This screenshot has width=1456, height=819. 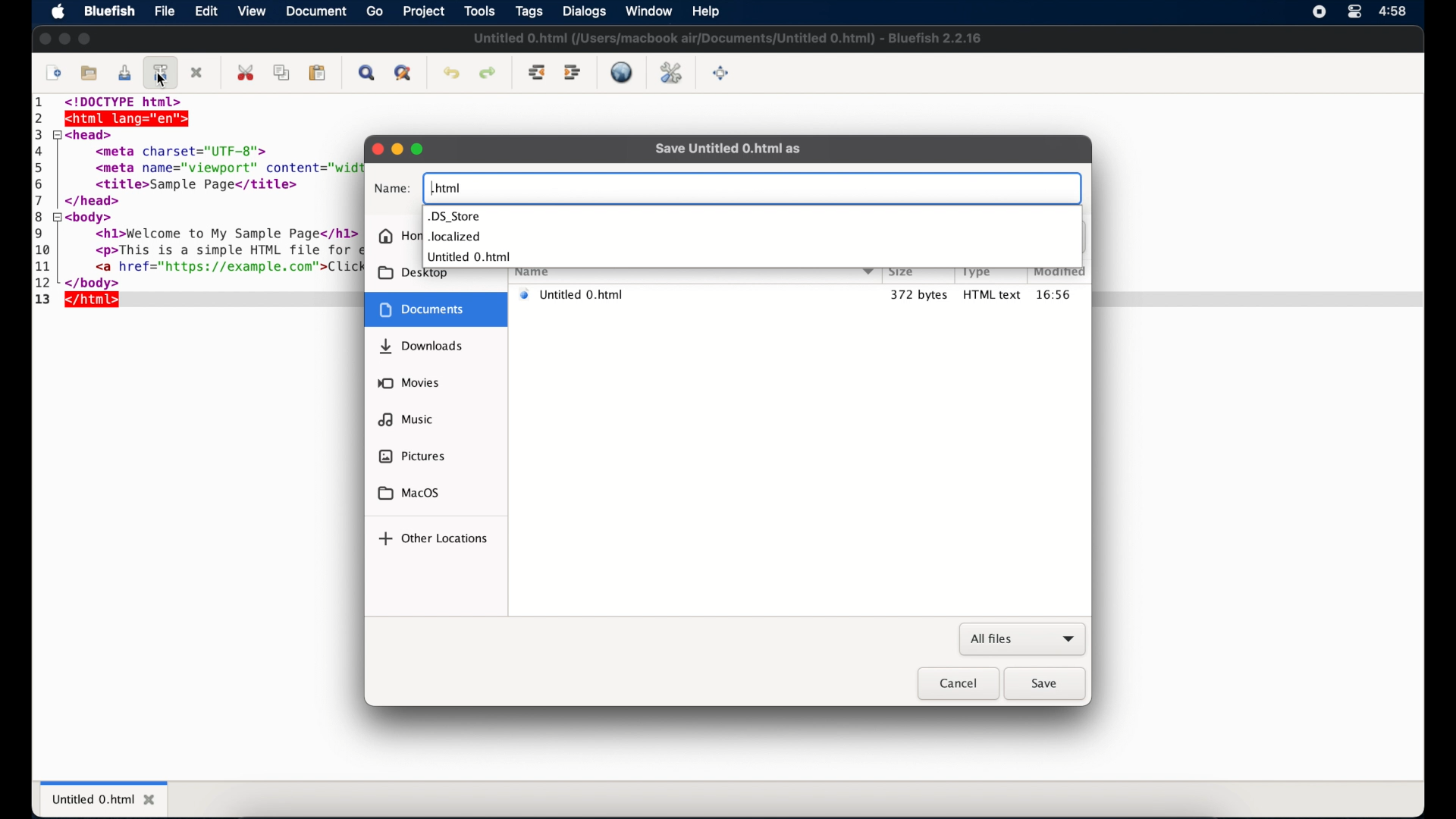 I want to click on 5, so click(x=43, y=166).